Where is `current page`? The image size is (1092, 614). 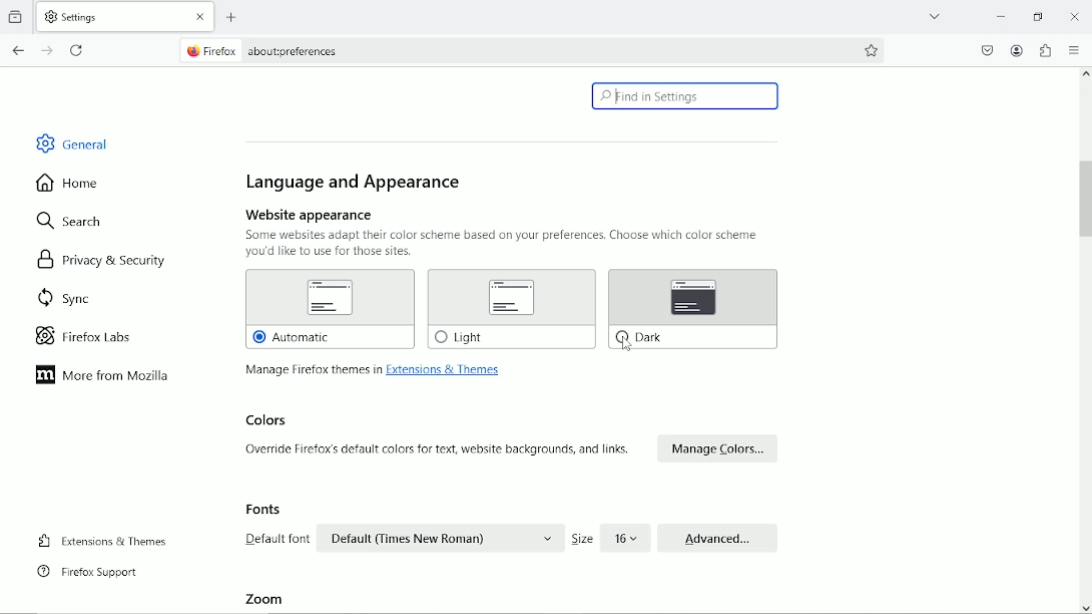 current page is located at coordinates (274, 50).